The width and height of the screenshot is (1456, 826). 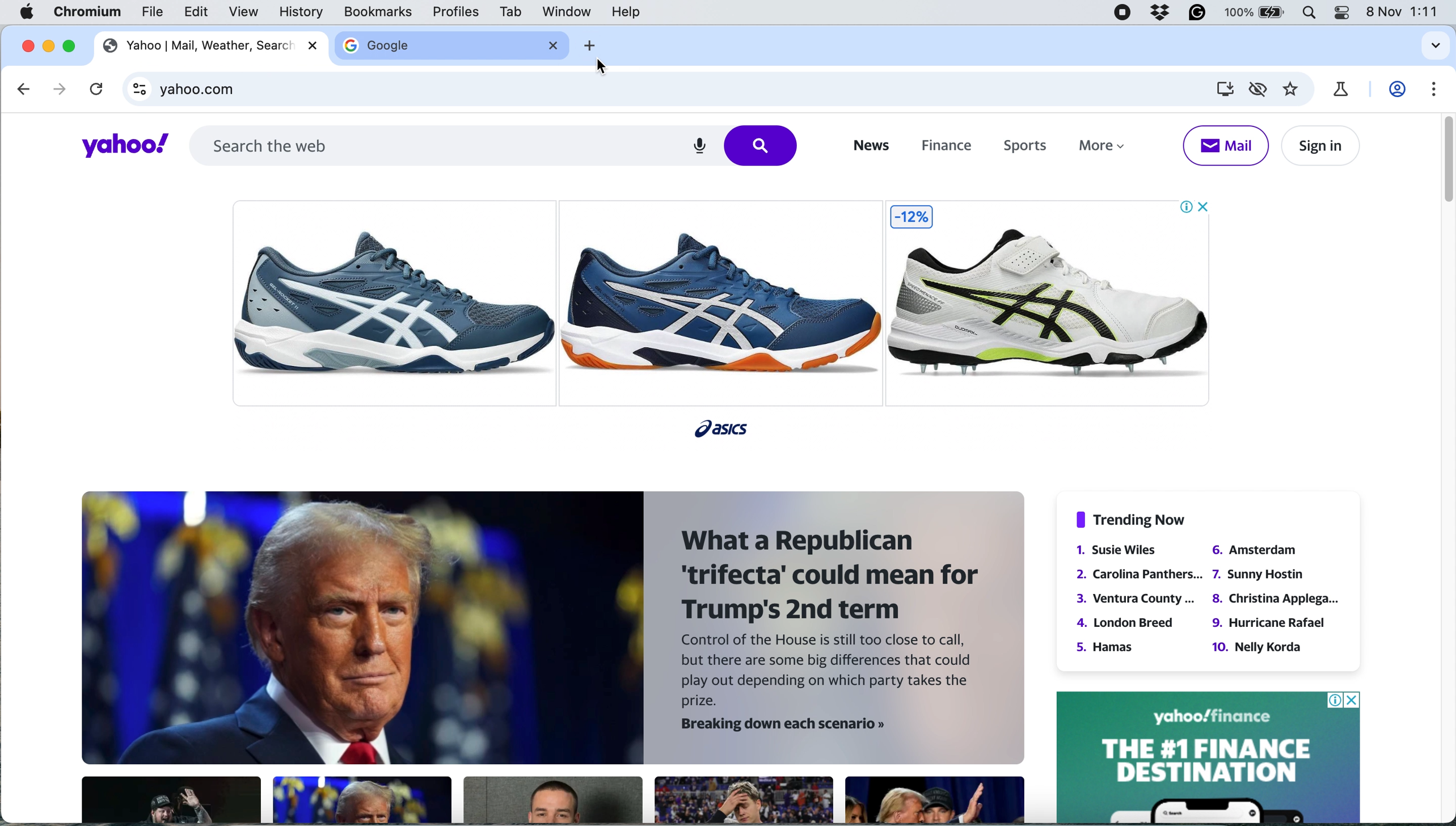 What do you see at coordinates (508, 12) in the screenshot?
I see `tab` at bounding box center [508, 12].